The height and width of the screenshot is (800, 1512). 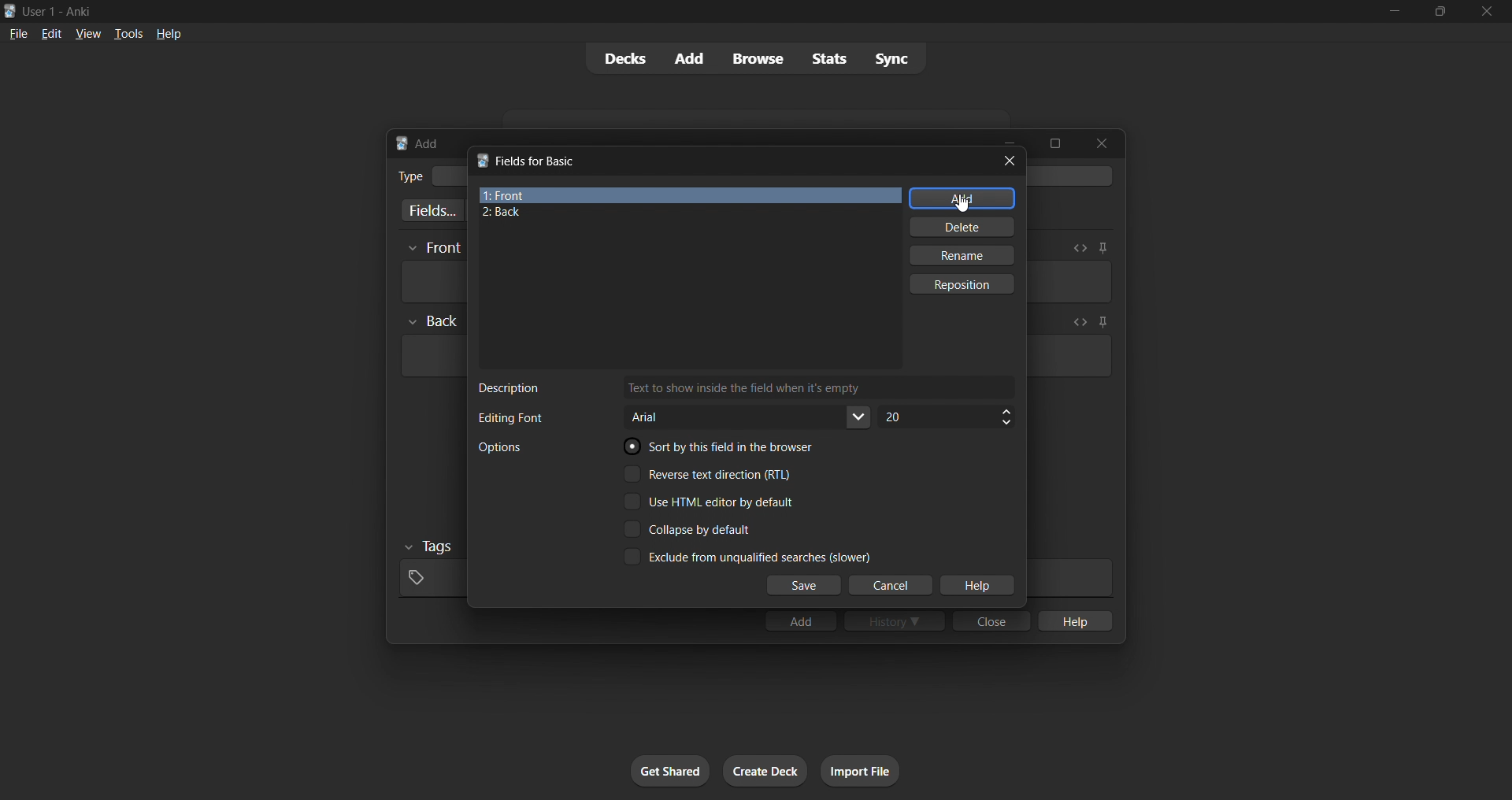 What do you see at coordinates (510, 418) in the screenshot?
I see `Text` at bounding box center [510, 418].